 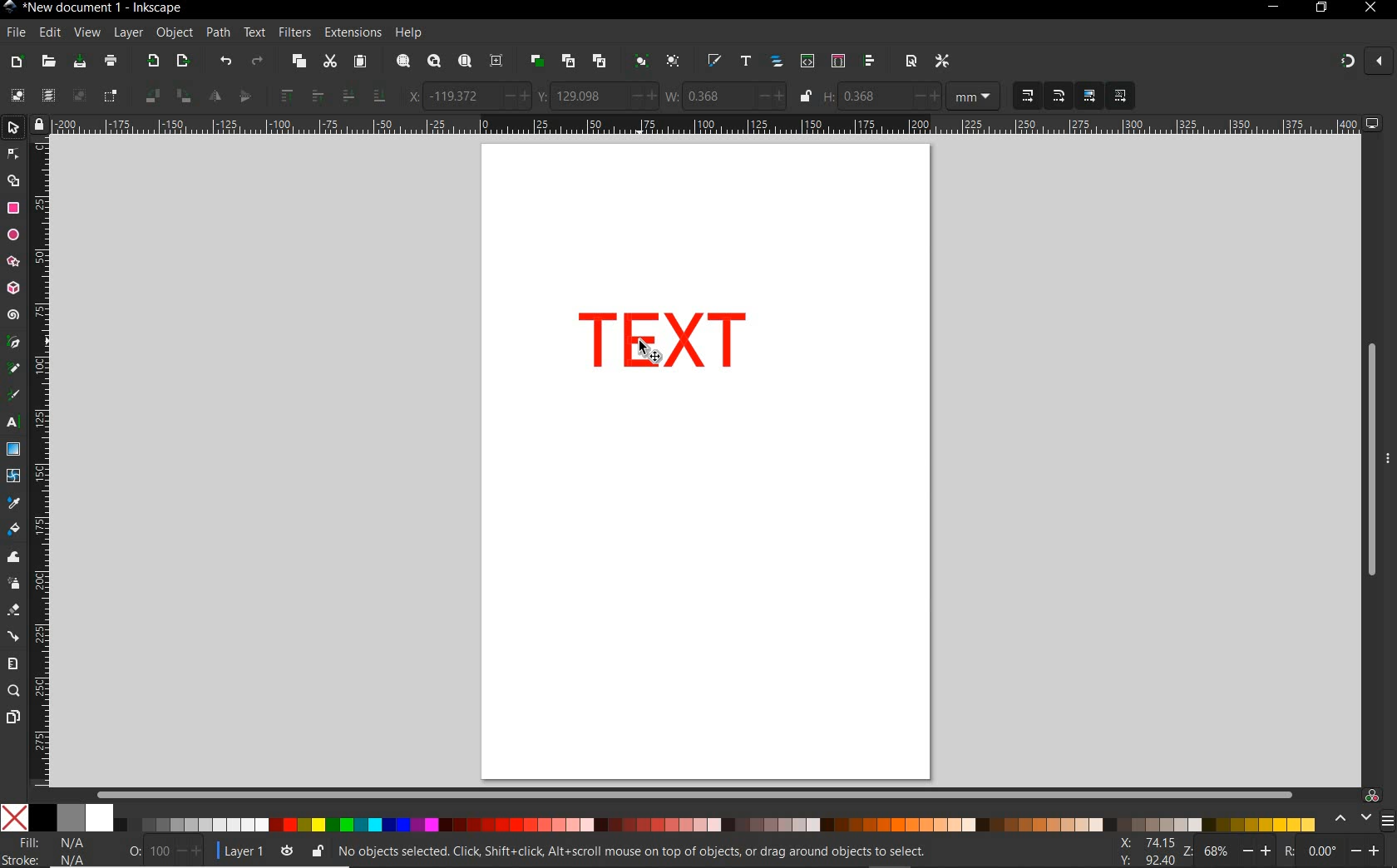 I want to click on ZOOM, so click(x=1228, y=850).